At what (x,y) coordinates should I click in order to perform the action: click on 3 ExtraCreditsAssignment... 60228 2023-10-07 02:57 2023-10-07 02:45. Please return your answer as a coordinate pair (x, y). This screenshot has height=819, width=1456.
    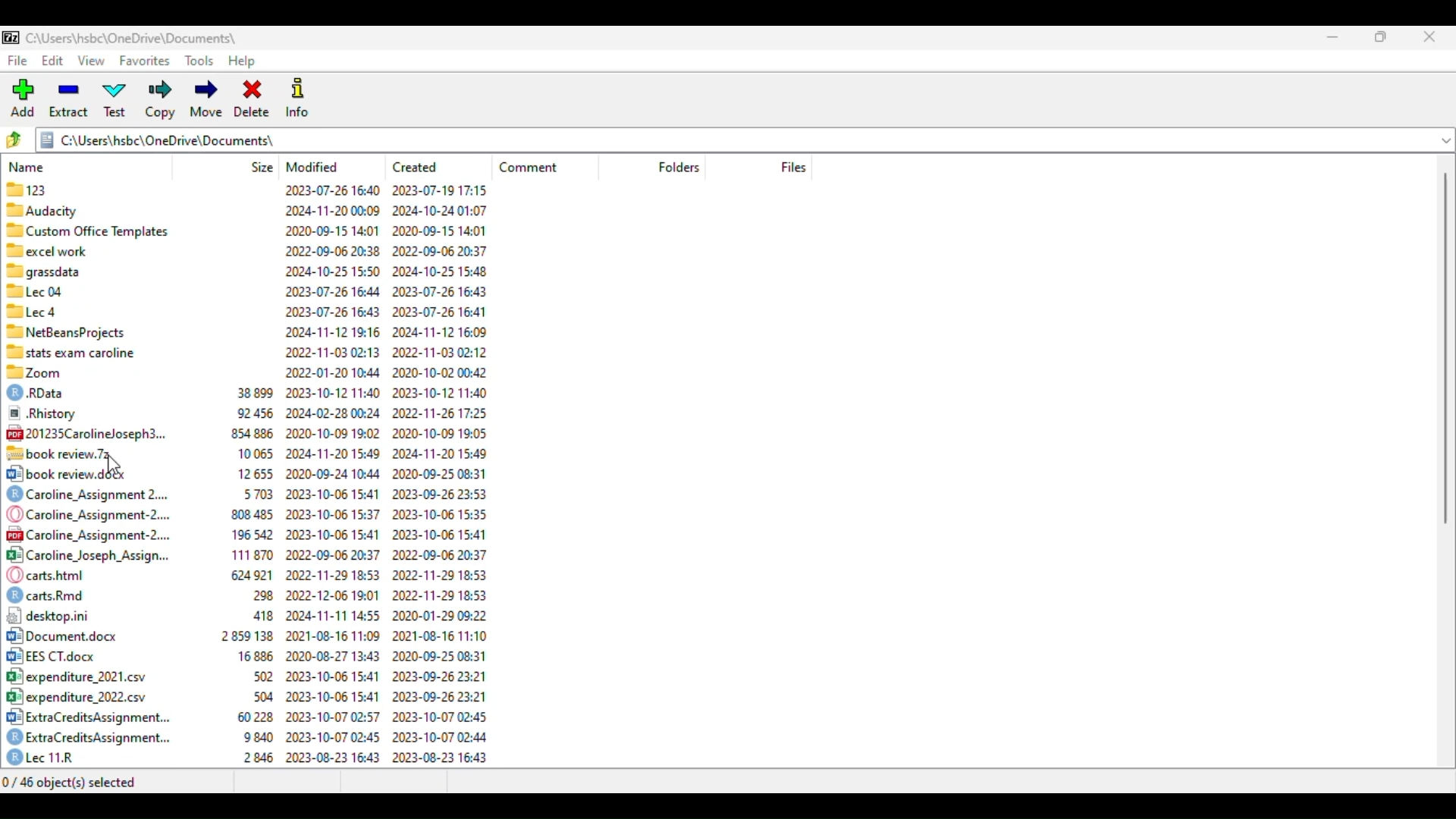
    Looking at the image, I should click on (246, 715).